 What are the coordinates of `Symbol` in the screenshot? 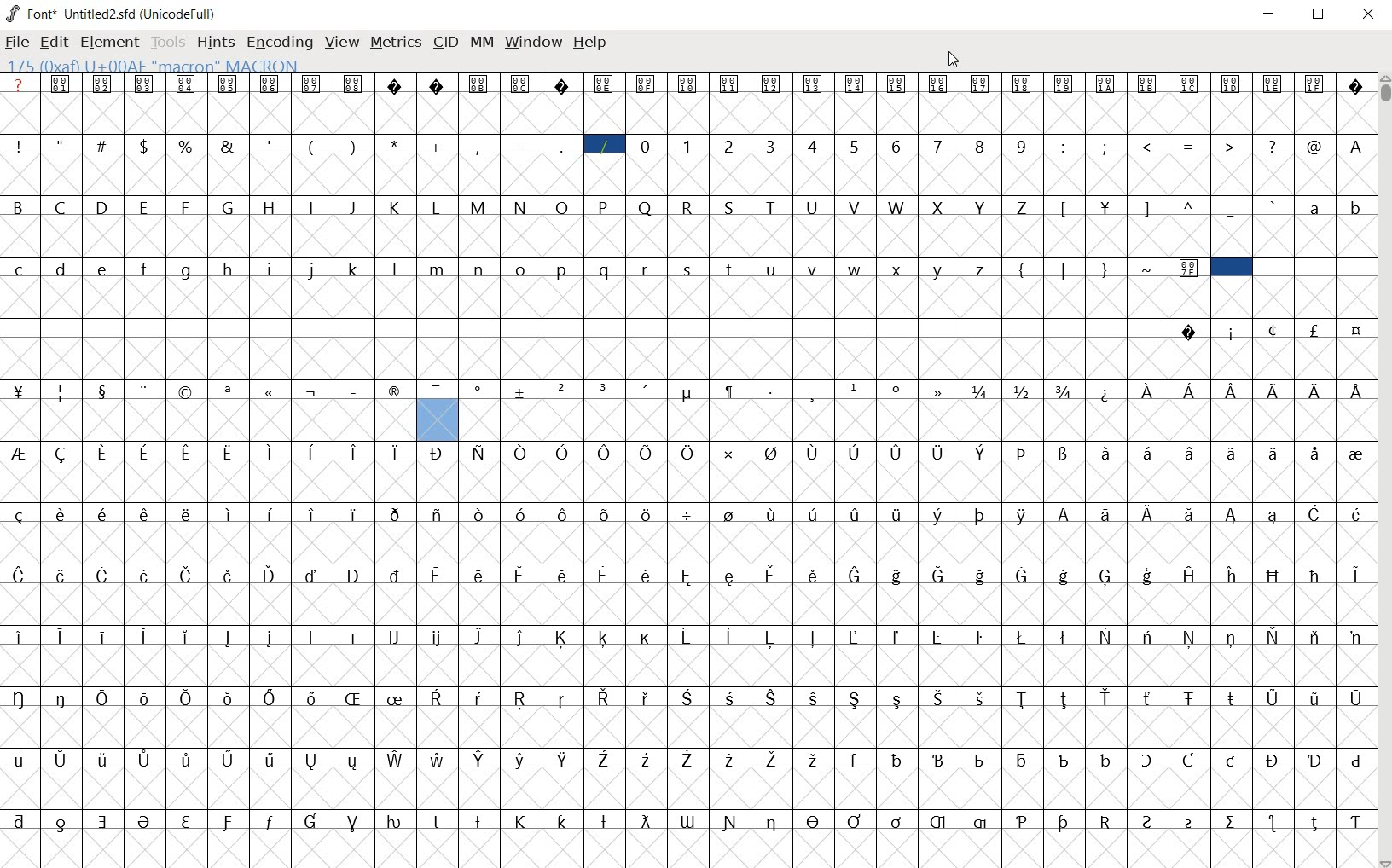 It's located at (479, 512).